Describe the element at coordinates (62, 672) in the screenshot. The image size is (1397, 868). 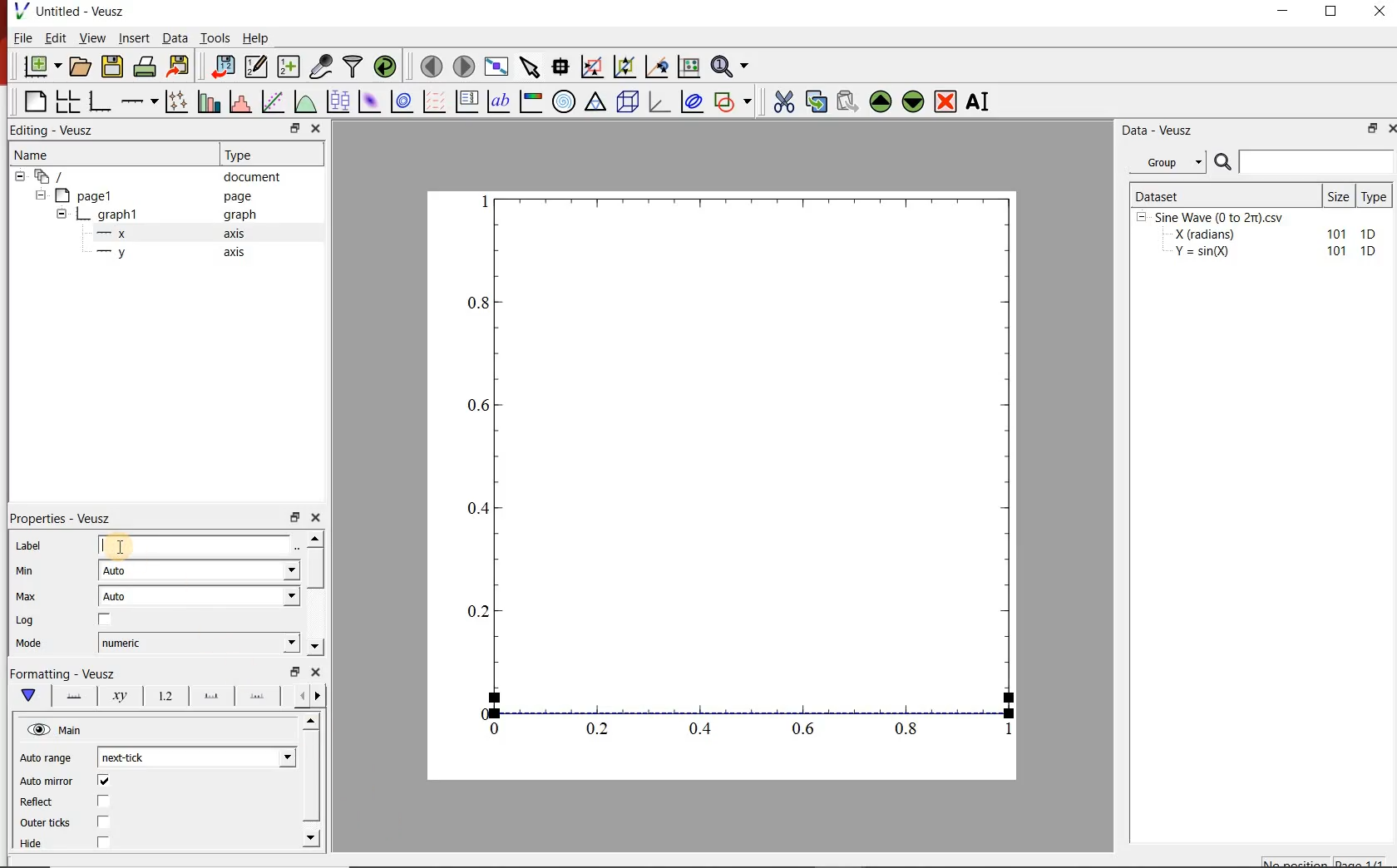
I see `Formatting - Veusz` at that location.